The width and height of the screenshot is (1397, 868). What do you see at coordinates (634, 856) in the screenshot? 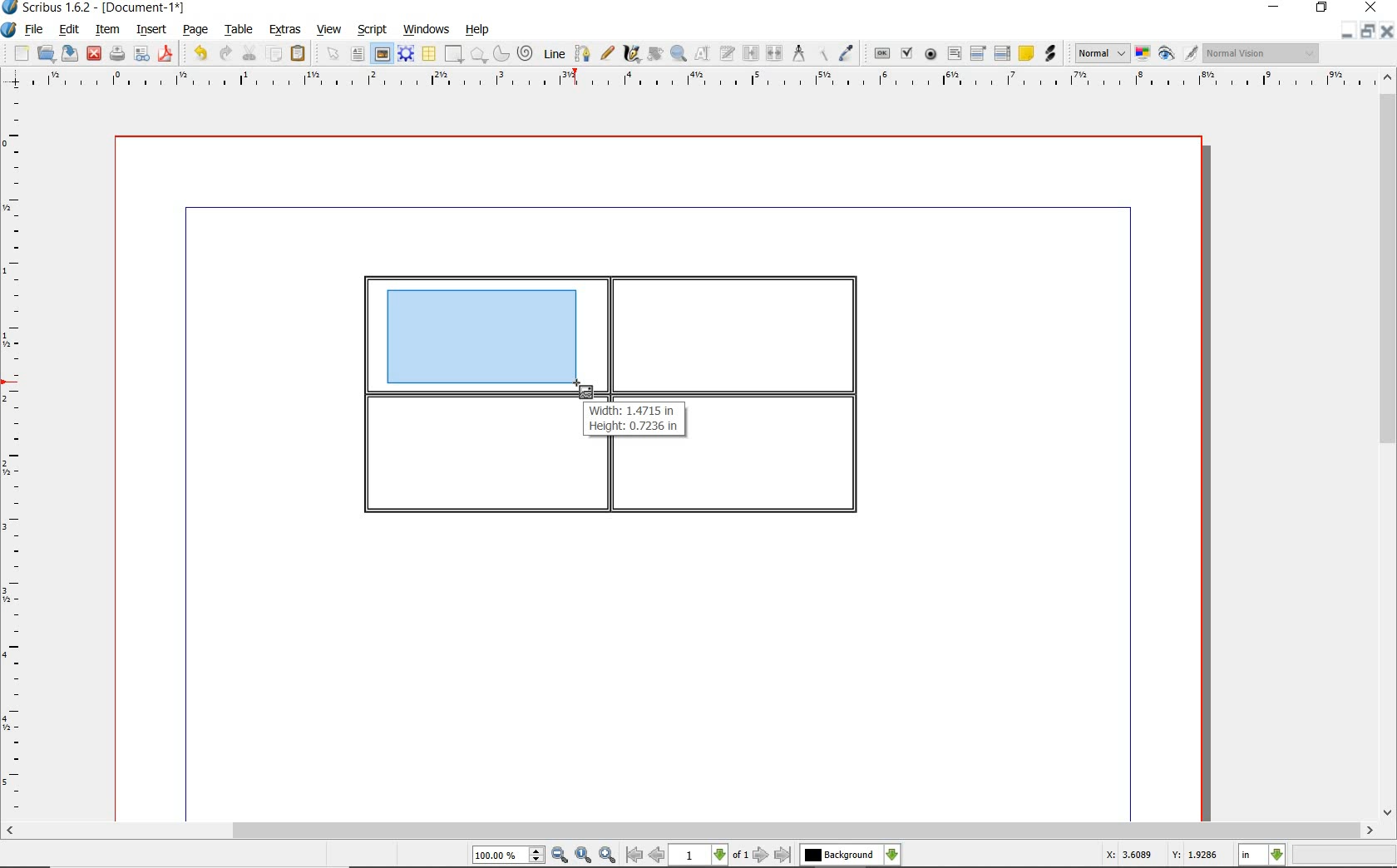
I see `go to first page` at bounding box center [634, 856].